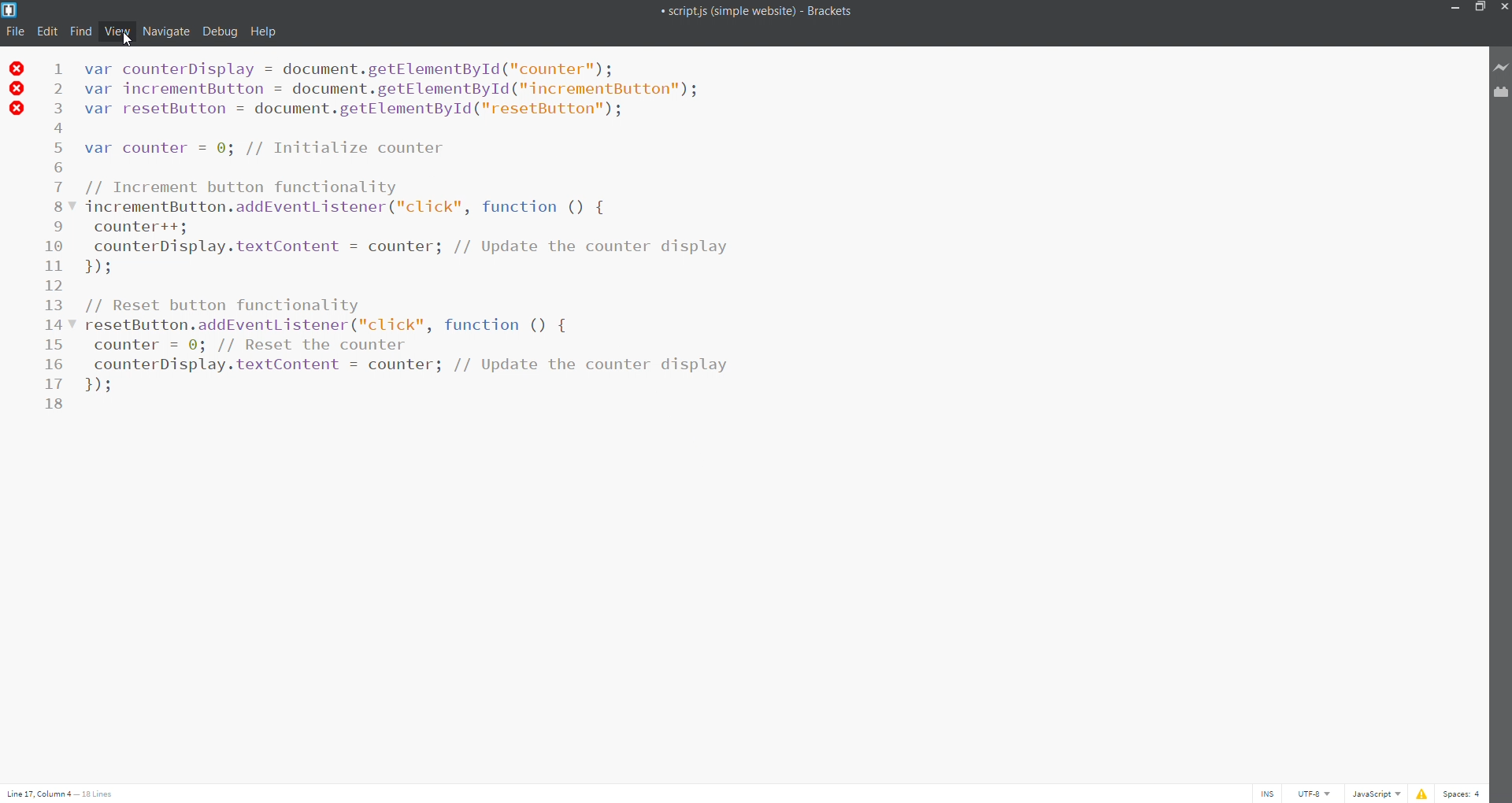 Image resolution: width=1512 pixels, height=803 pixels. I want to click on encoding, so click(1315, 794).